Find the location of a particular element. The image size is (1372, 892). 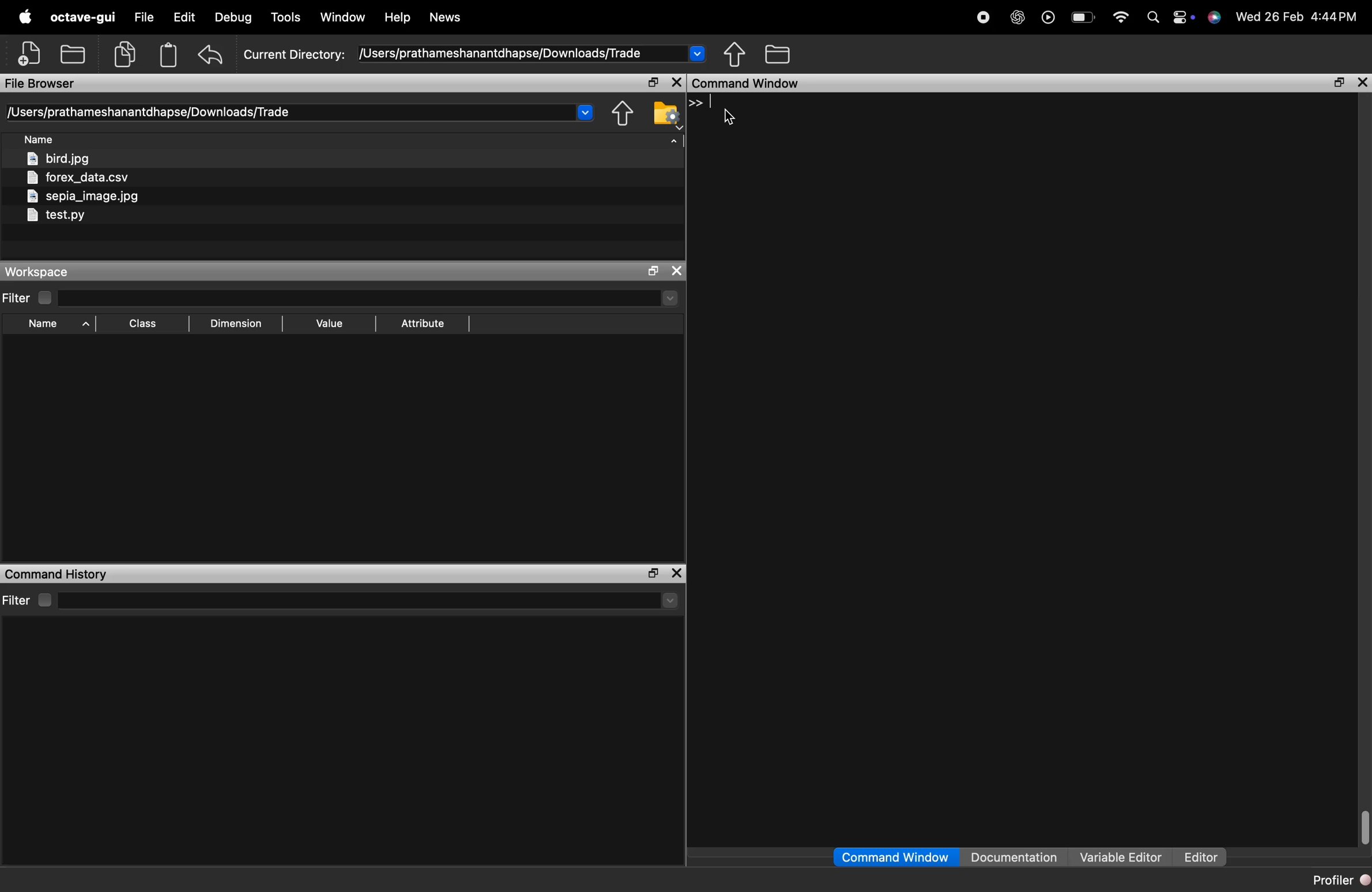

Command Window is located at coordinates (895, 857).